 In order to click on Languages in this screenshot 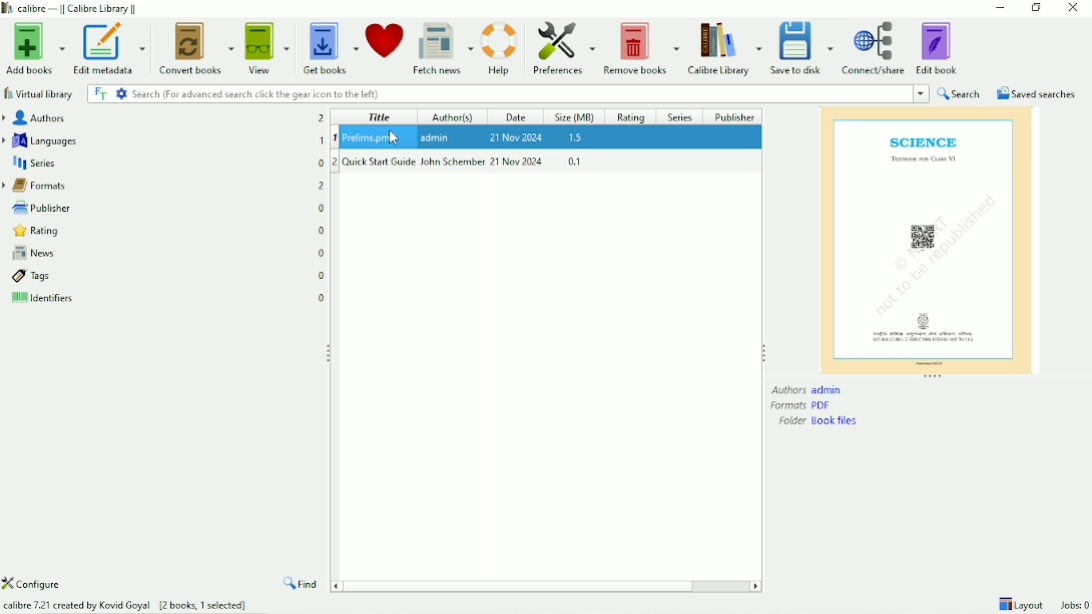, I will do `click(42, 140)`.